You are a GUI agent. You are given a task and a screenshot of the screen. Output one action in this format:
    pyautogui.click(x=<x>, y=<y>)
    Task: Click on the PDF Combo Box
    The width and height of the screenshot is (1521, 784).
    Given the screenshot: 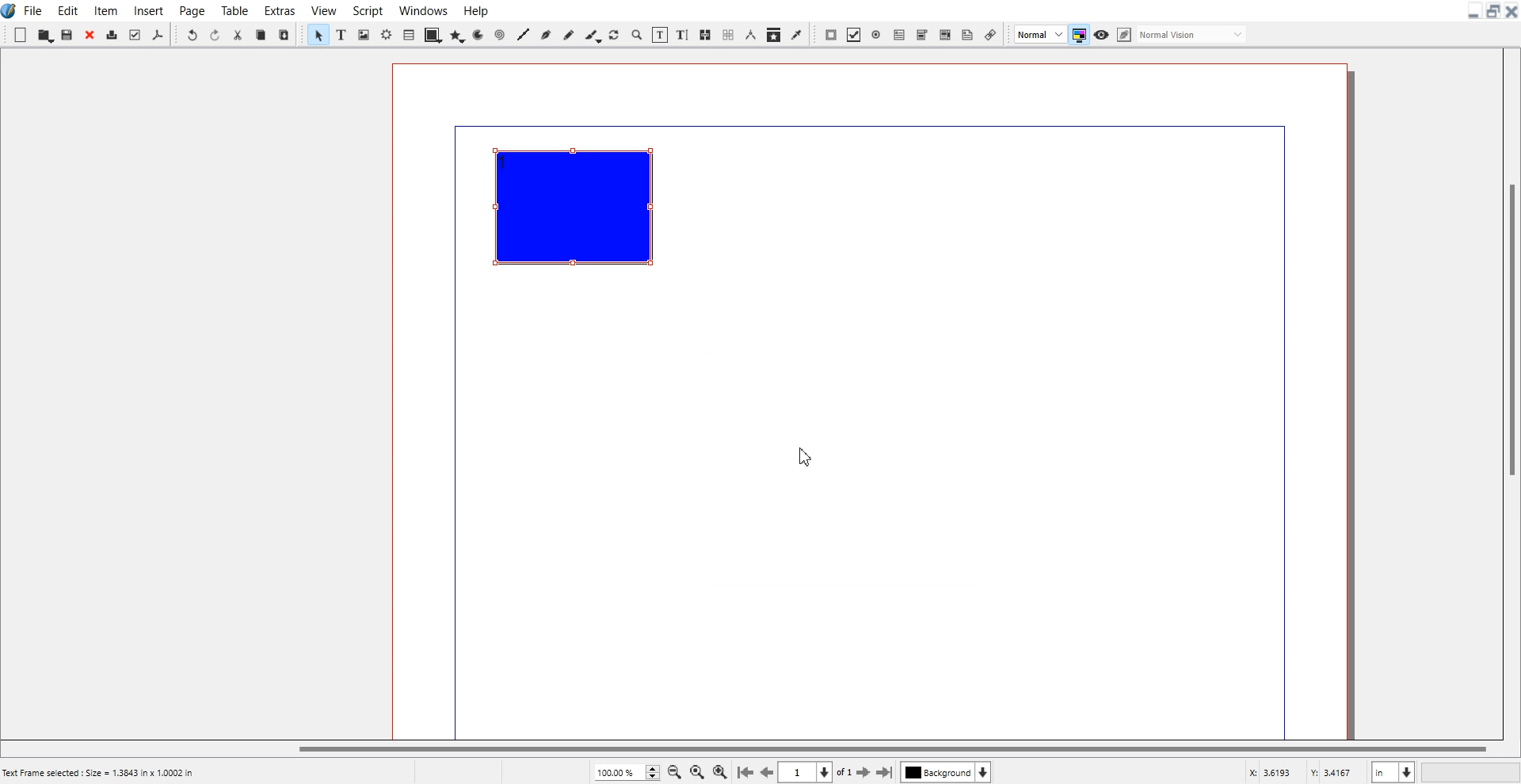 What is the action you would take?
    pyautogui.click(x=923, y=35)
    